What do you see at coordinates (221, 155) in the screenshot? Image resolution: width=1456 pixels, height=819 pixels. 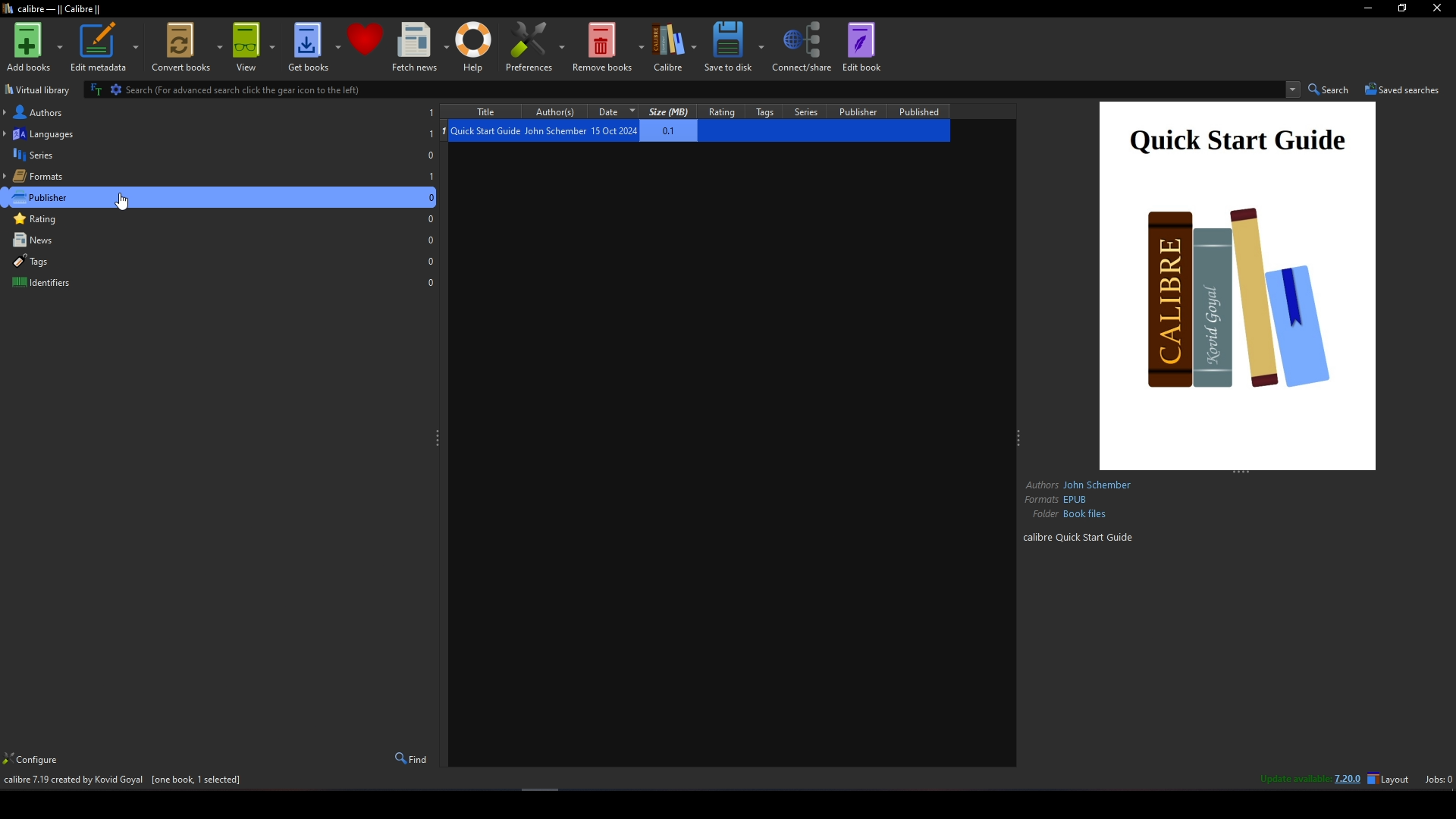 I see `Series` at bounding box center [221, 155].